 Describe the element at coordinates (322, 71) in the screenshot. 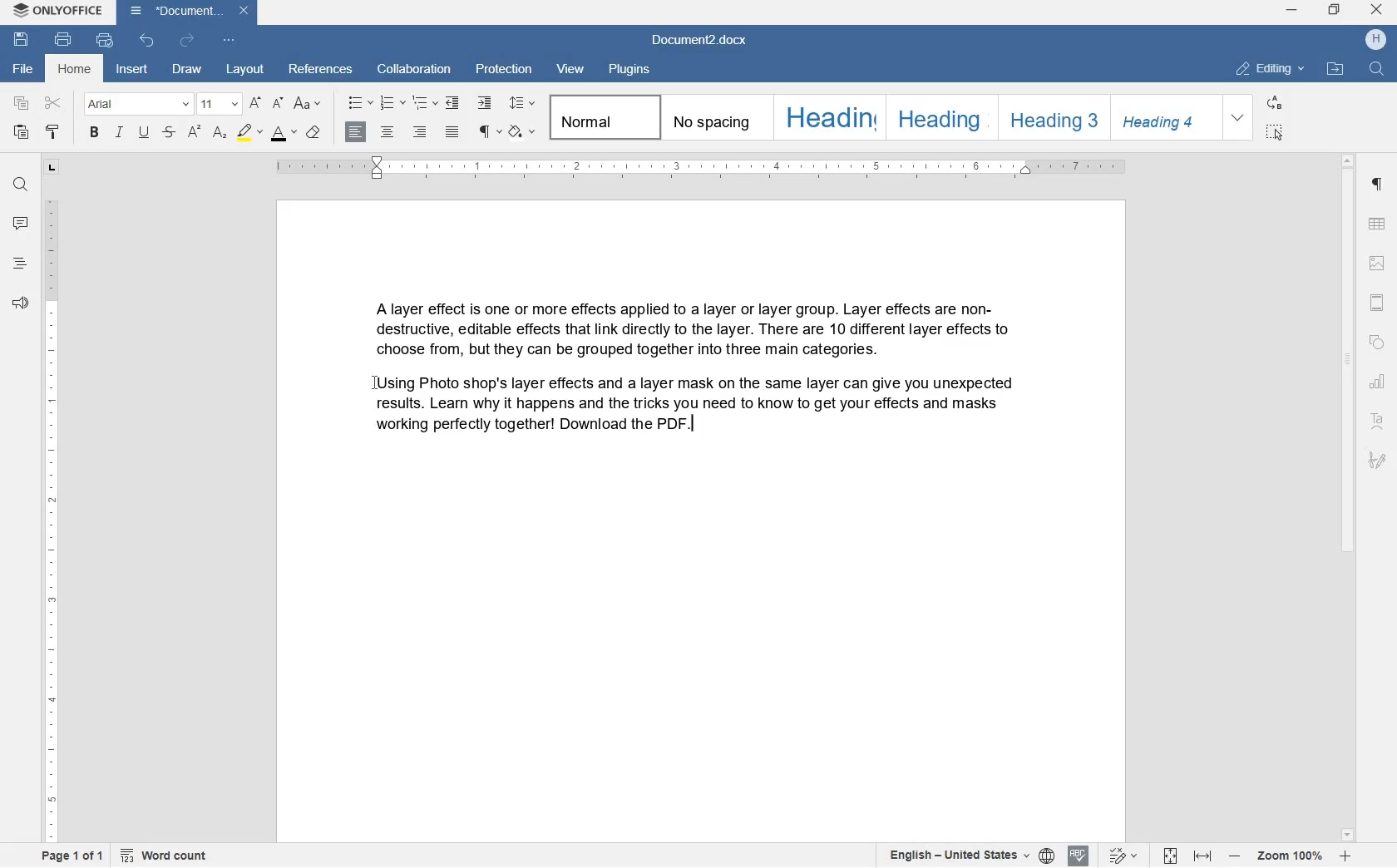

I see `REFERENCES` at that location.